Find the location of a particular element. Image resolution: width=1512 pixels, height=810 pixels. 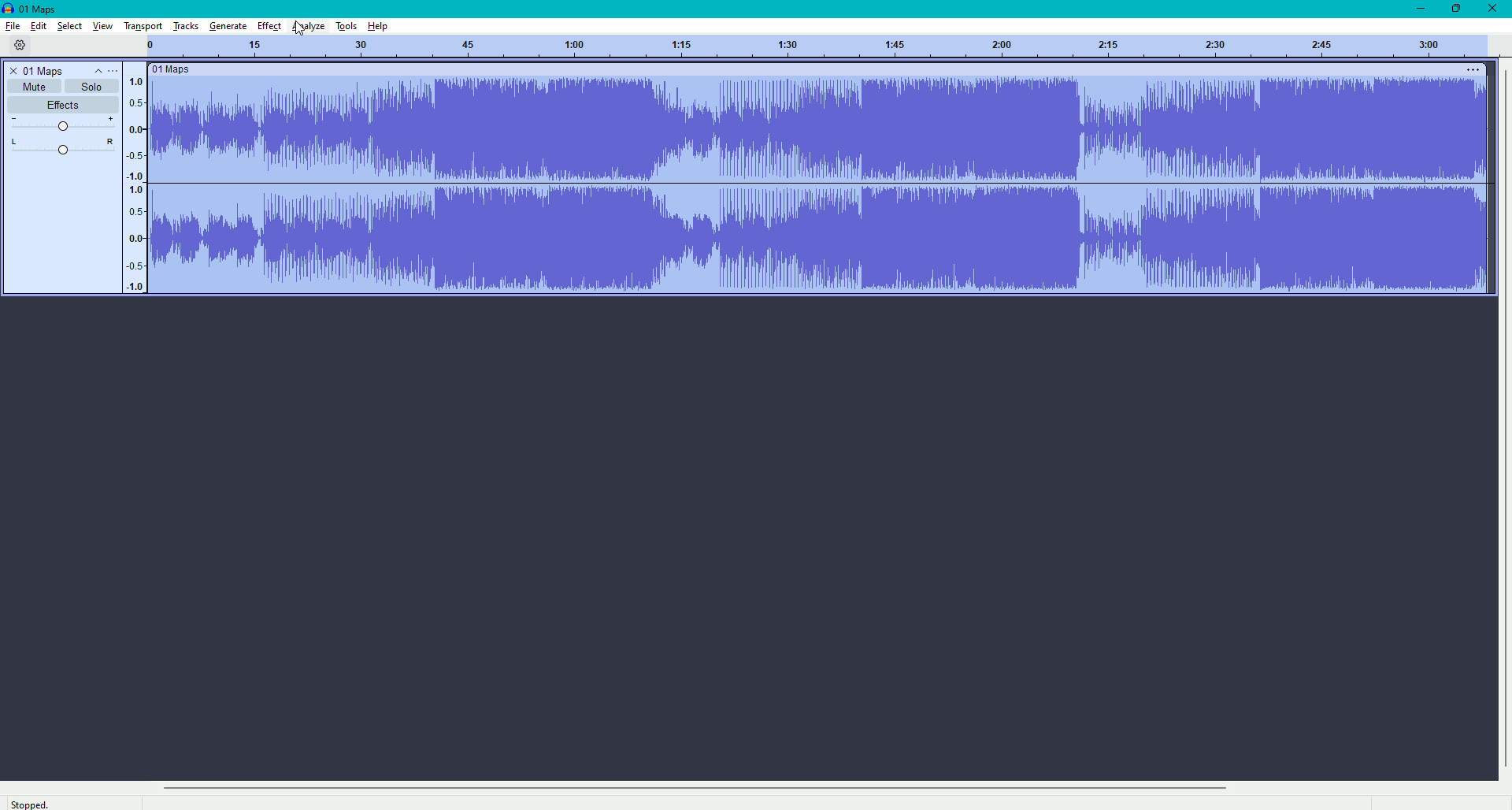

Maps is located at coordinates (31, 9).